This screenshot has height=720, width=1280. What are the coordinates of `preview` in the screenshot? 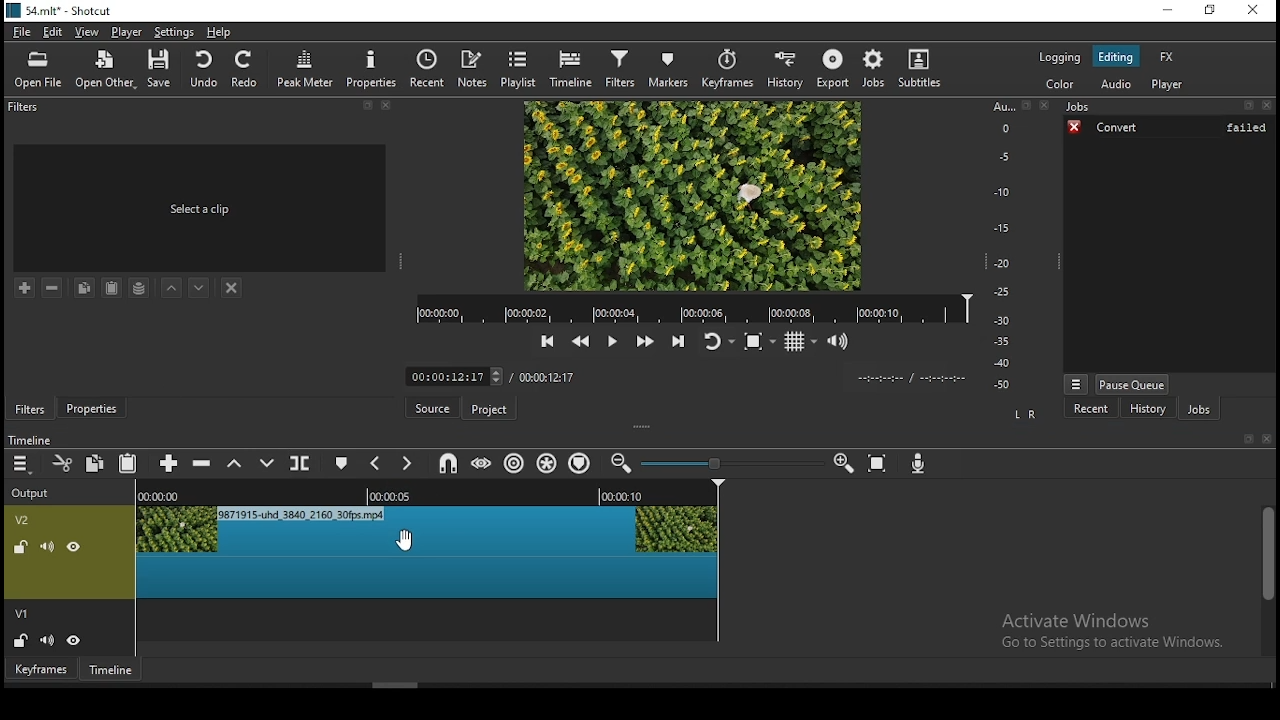 It's located at (693, 196).